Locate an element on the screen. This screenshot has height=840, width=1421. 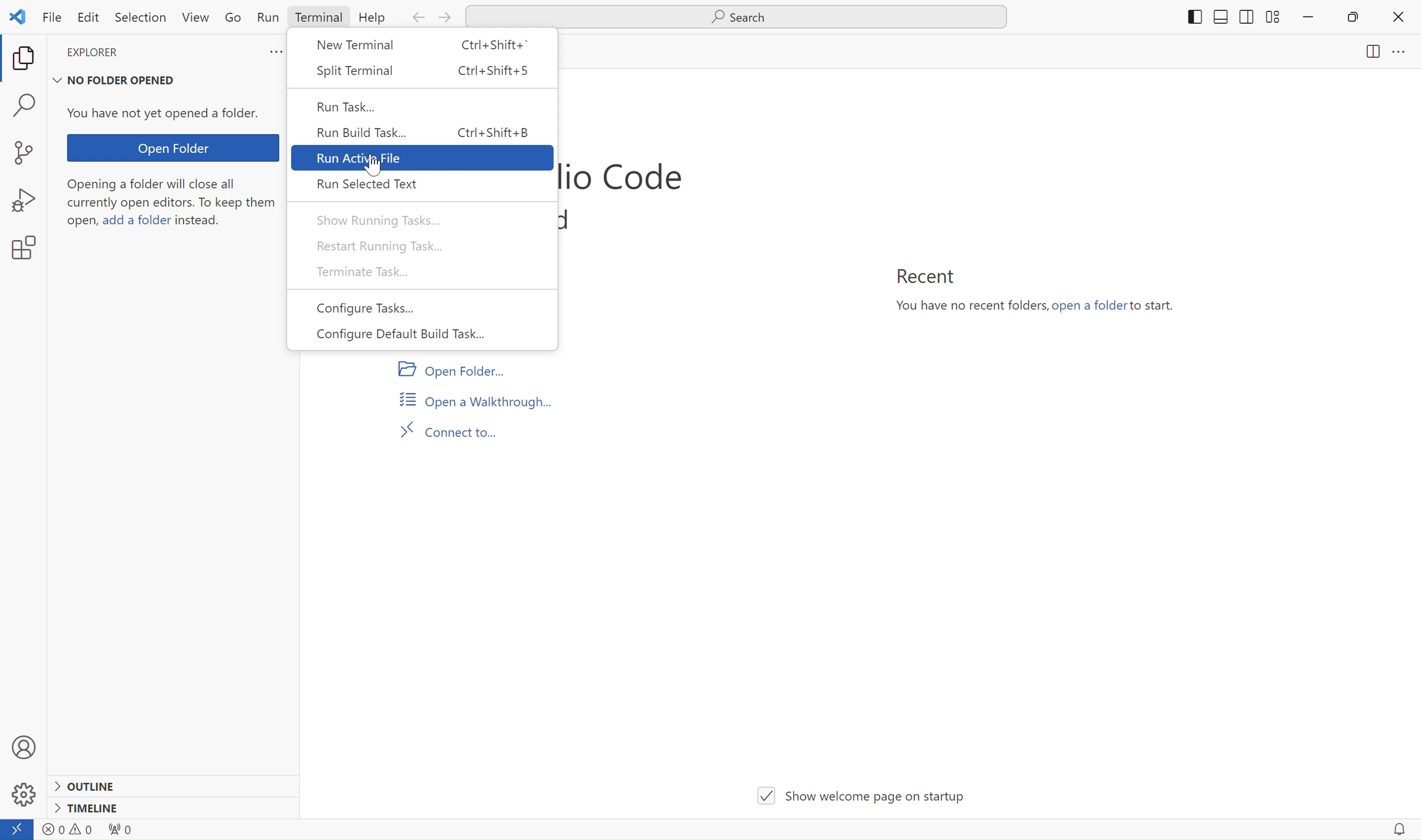
logo is located at coordinates (18, 14).